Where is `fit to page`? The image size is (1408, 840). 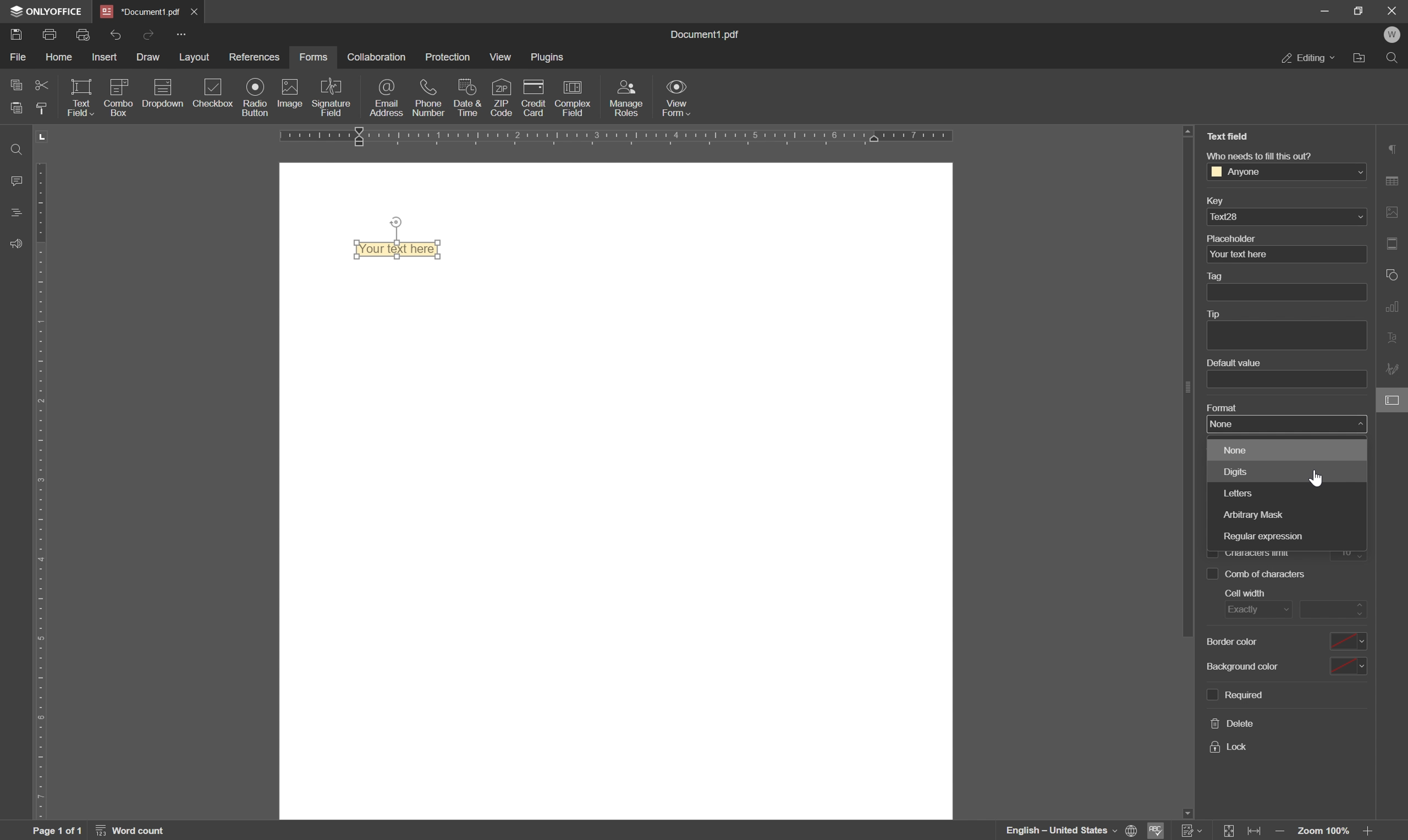
fit to page is located at coordinates (1230, 832).